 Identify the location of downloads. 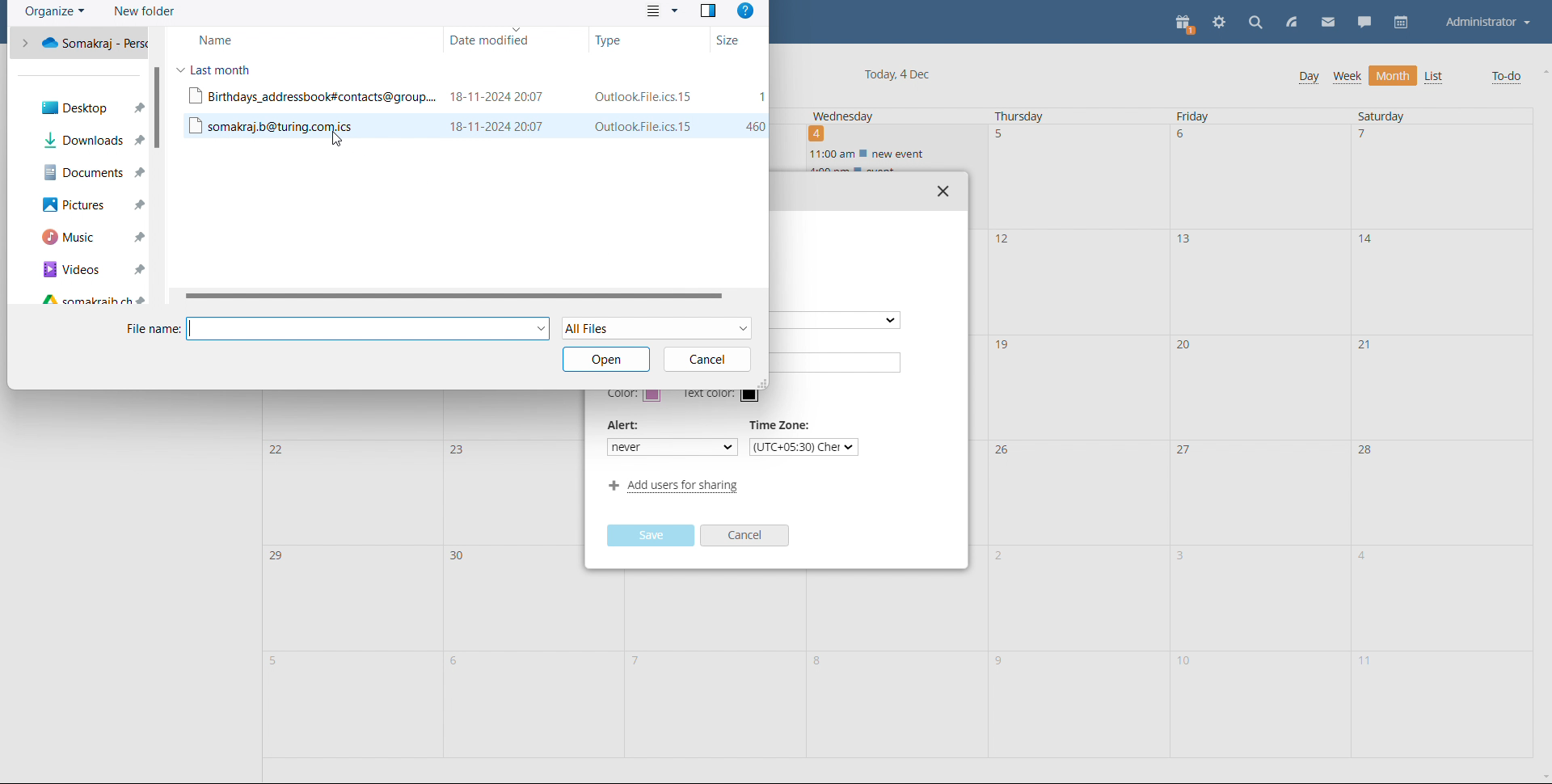
(93, 140).